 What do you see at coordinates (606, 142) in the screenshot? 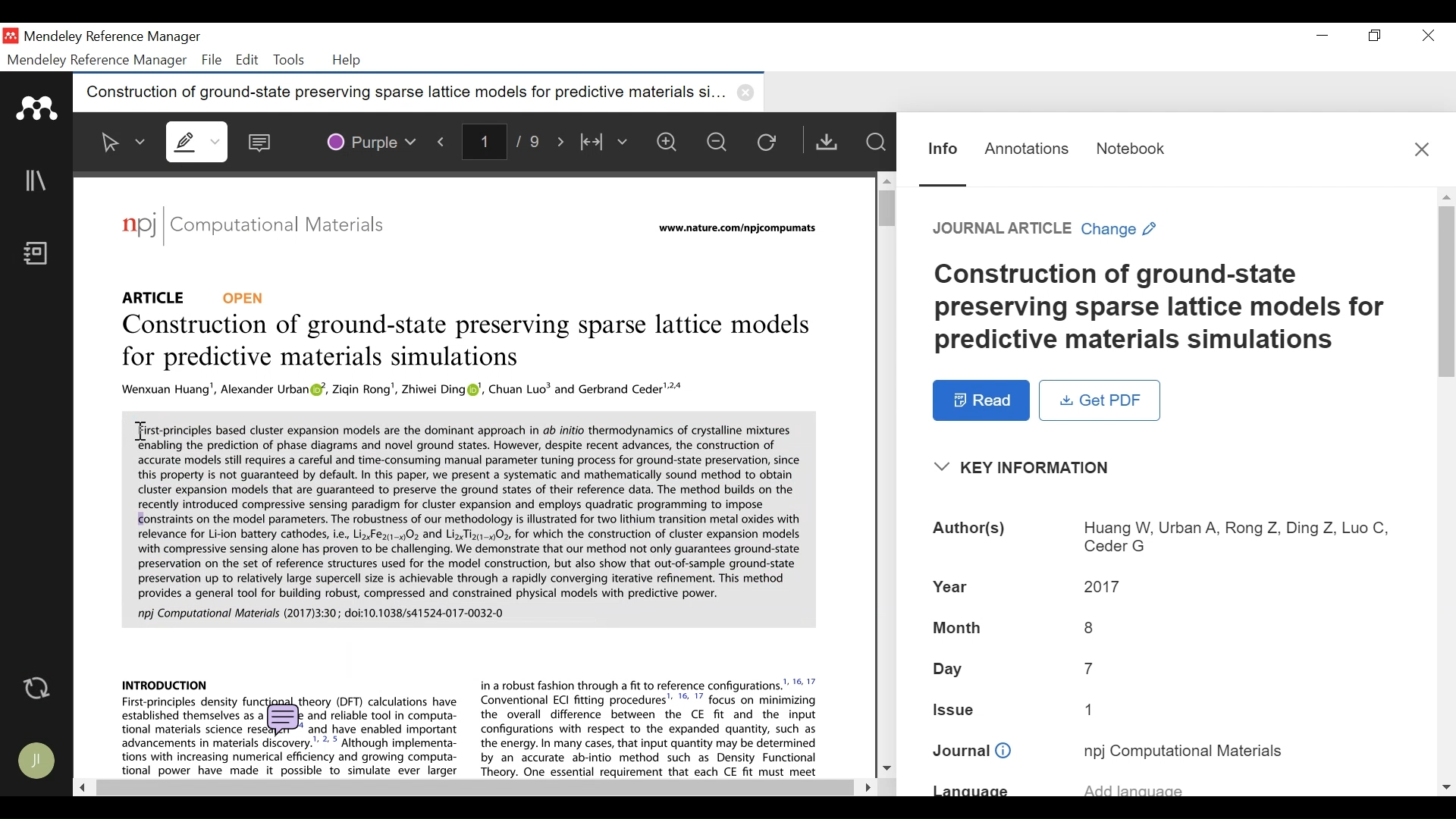
I see `Fit to Width` at bounding box center [606, 142].